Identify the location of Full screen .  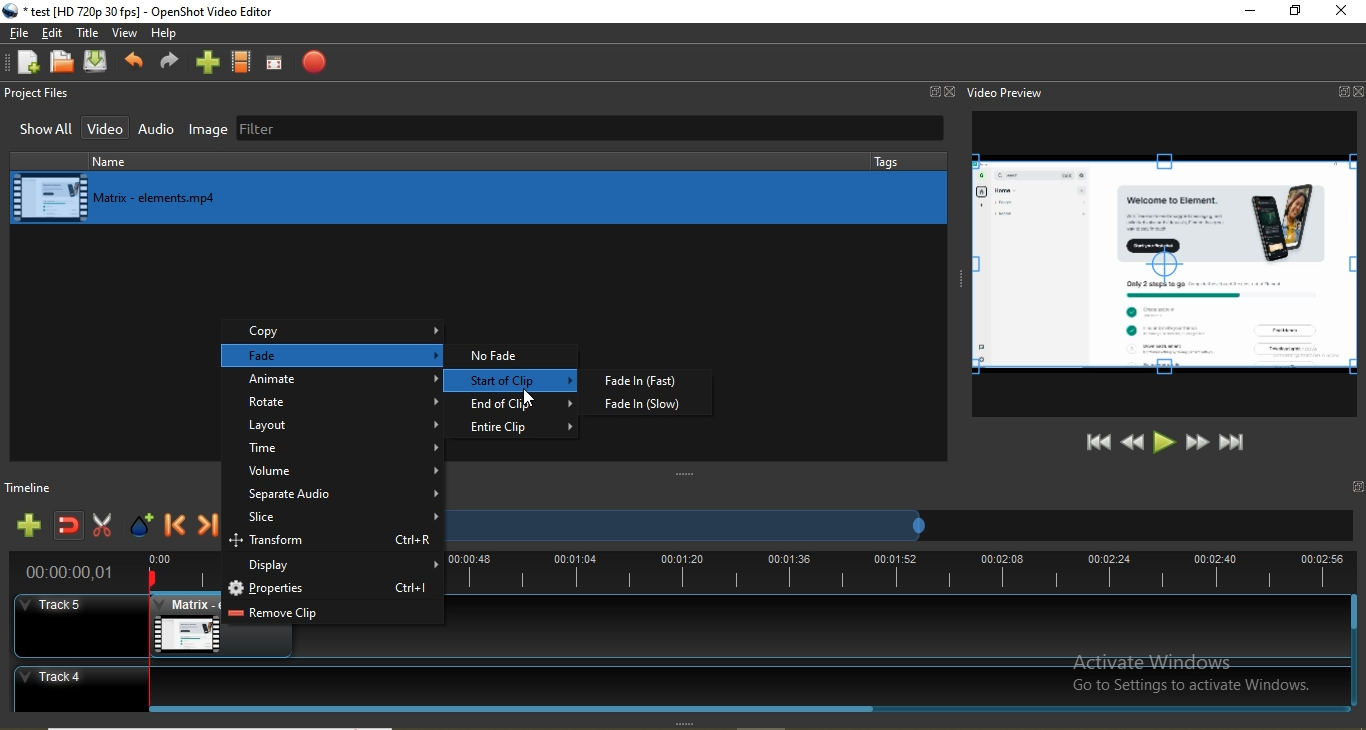
(274, 63).